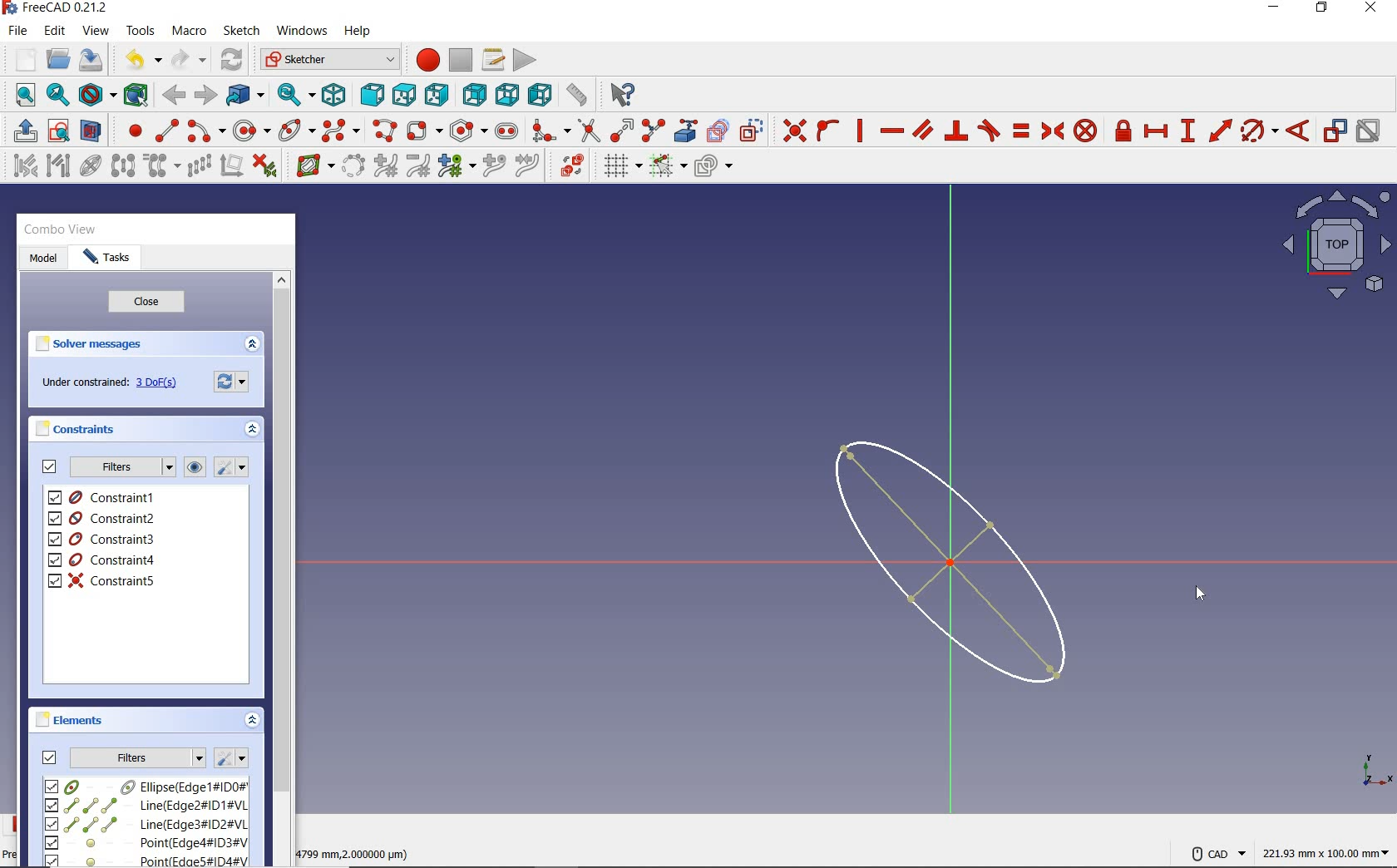 The image size is (1397, 868). Describe the element at coordinates (114, 383) in the screenshot. I see `under constrained` at that location.